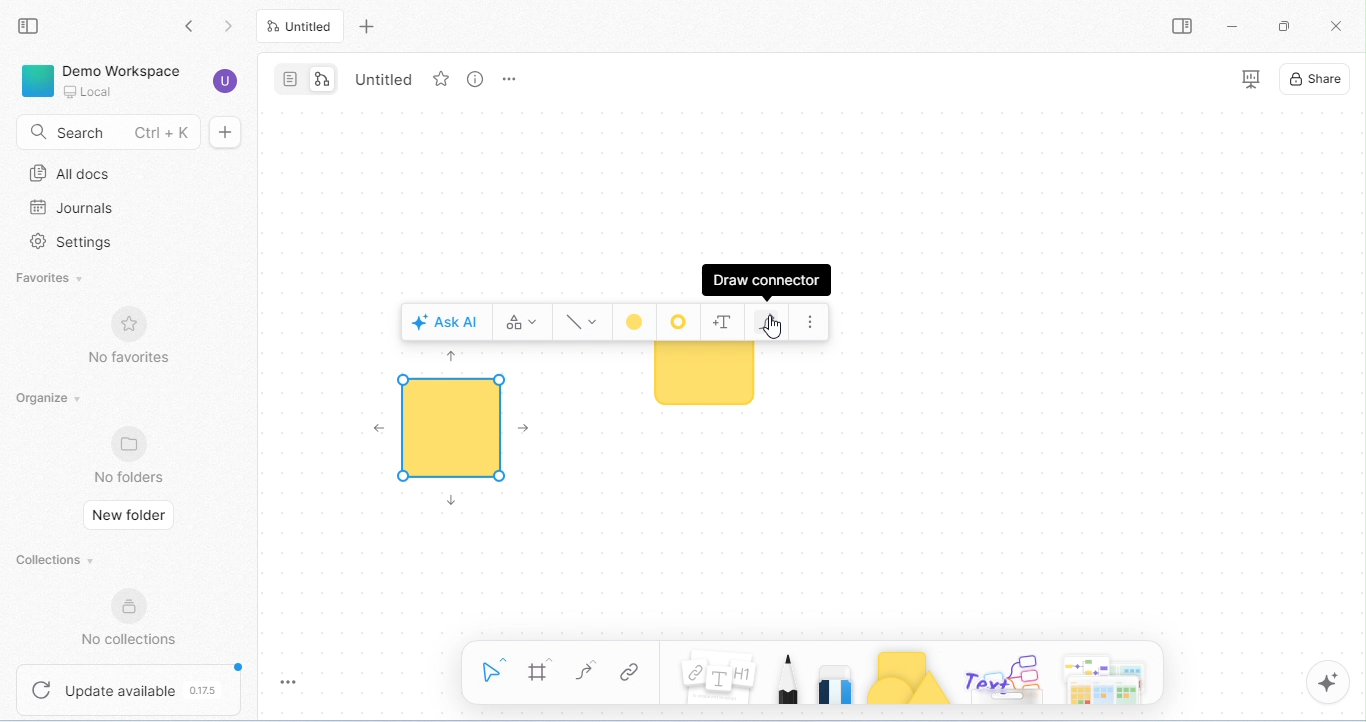 This screenshot has width=1366, height=722. I want to click on fill color, so click(636, 323).